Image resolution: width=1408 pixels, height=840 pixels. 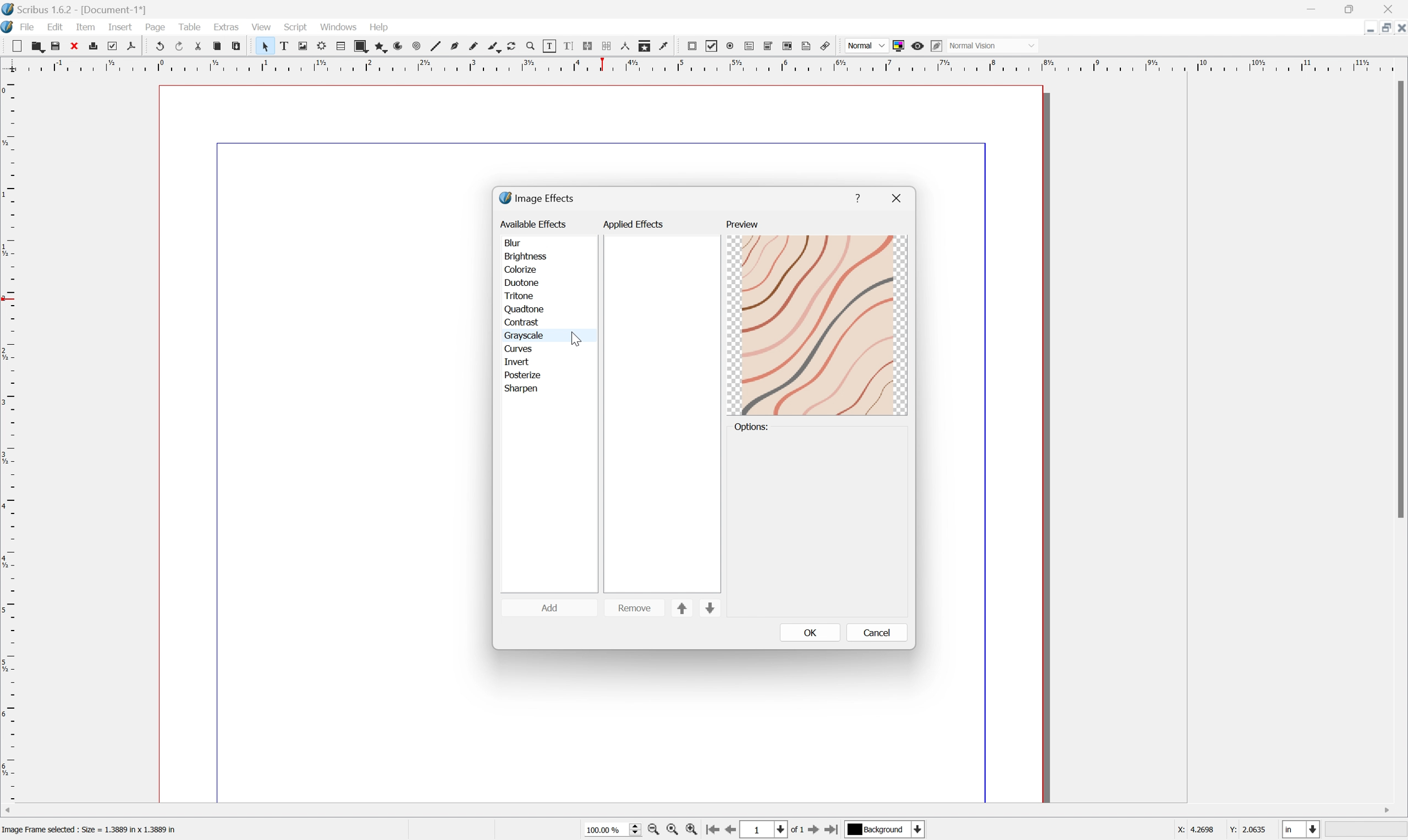 I want to click on Freehand line, so click(x=477, y=48).